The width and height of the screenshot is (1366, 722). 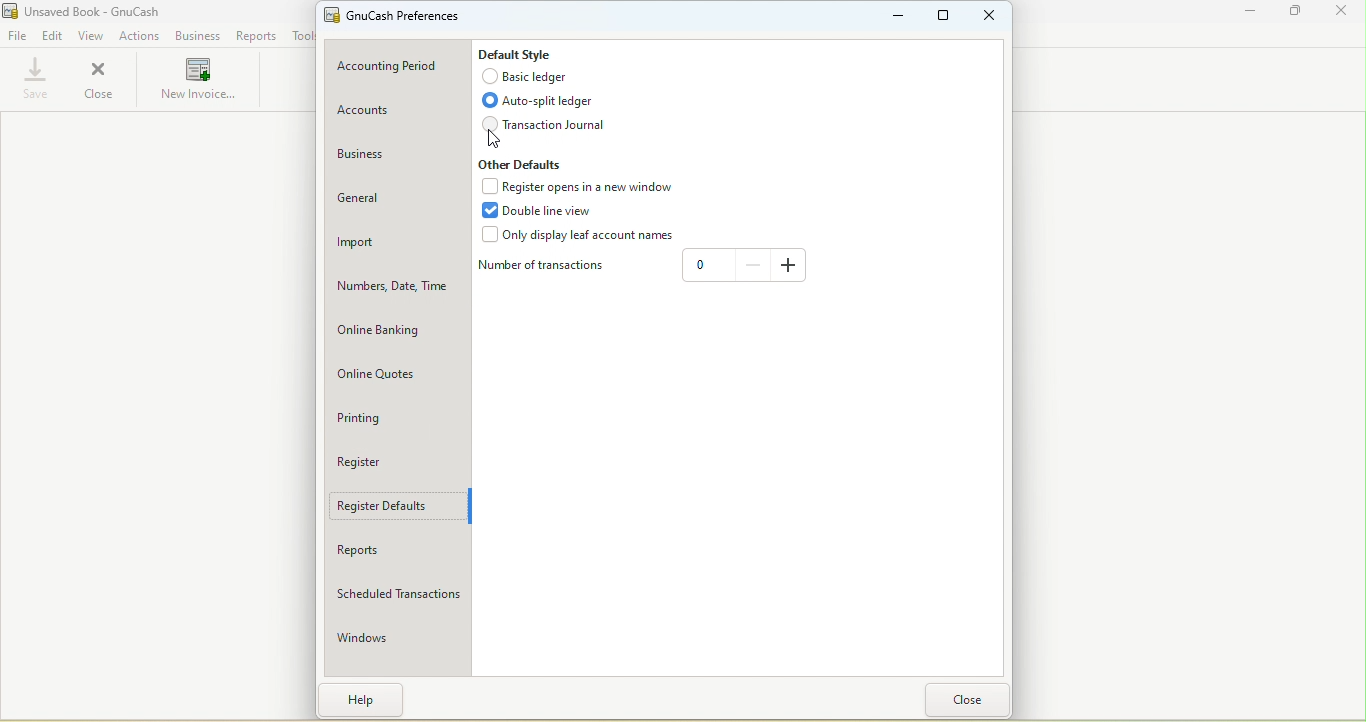 I want to click on Register defaults, so click(x=392, y=510).